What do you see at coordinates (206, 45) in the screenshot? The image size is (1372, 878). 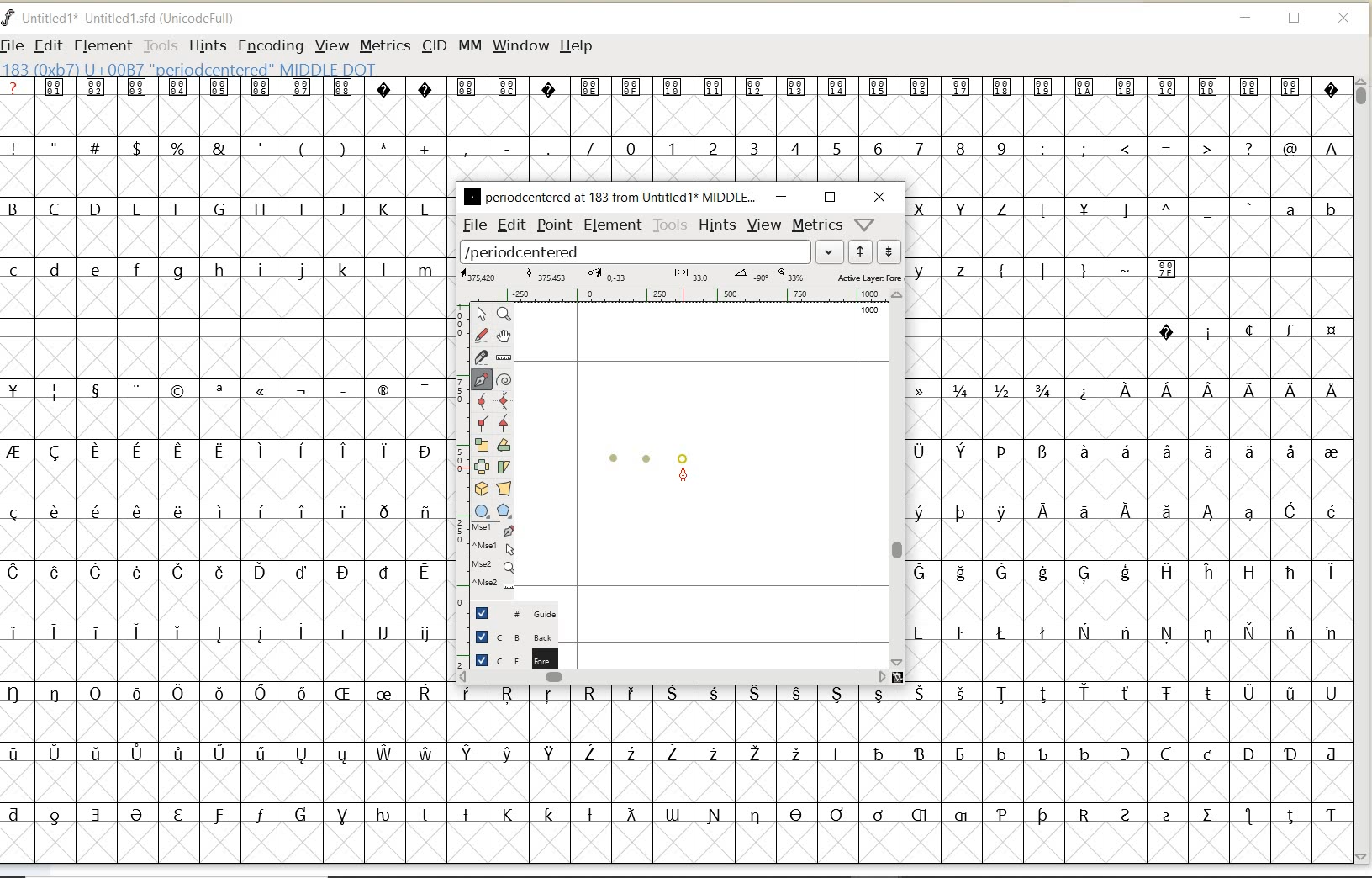 I see `HINTS` at bounding box center [206, 45].